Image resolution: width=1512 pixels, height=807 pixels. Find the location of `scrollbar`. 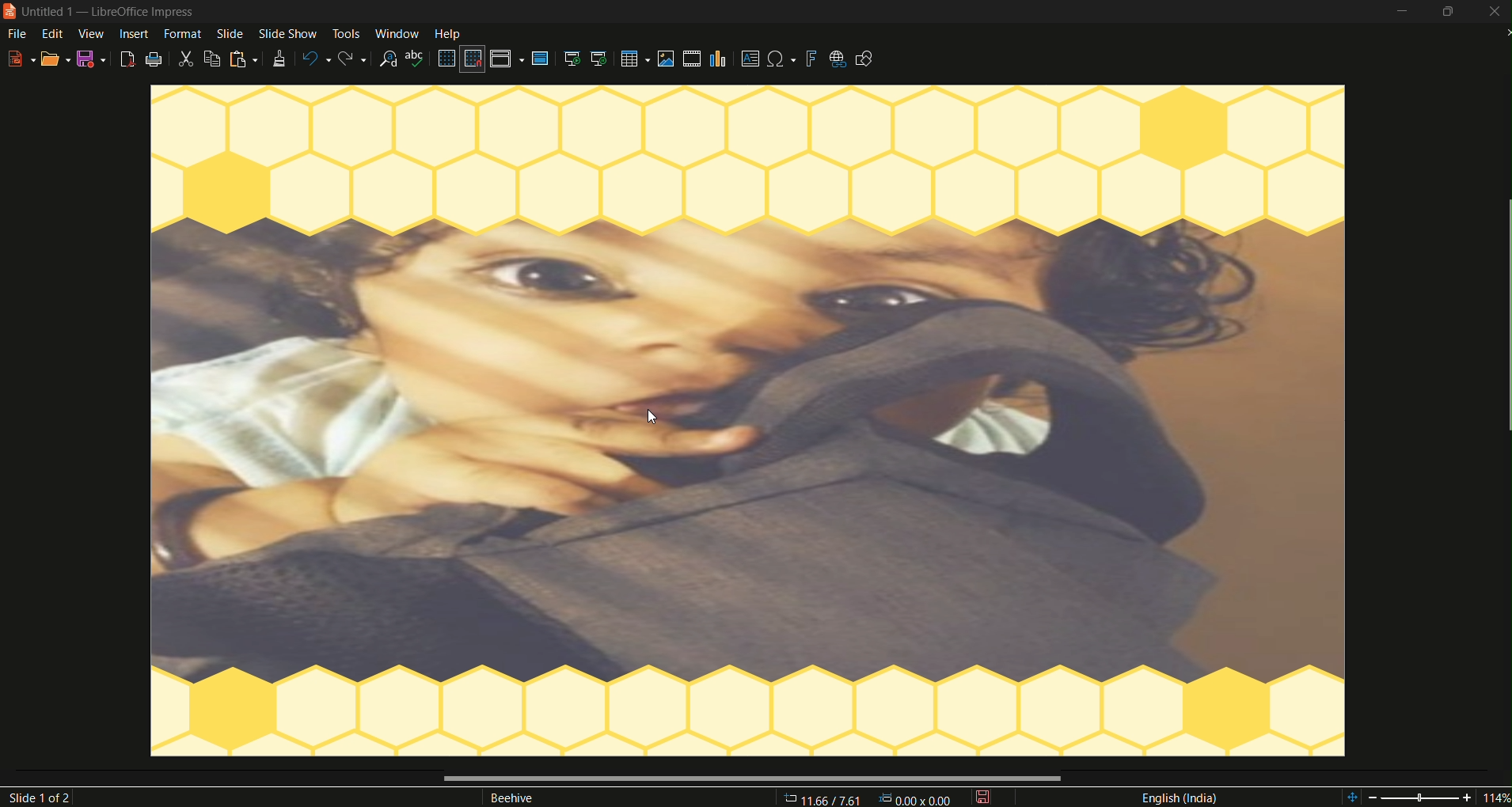

scrollbar is located at coordinates (1503, 317).